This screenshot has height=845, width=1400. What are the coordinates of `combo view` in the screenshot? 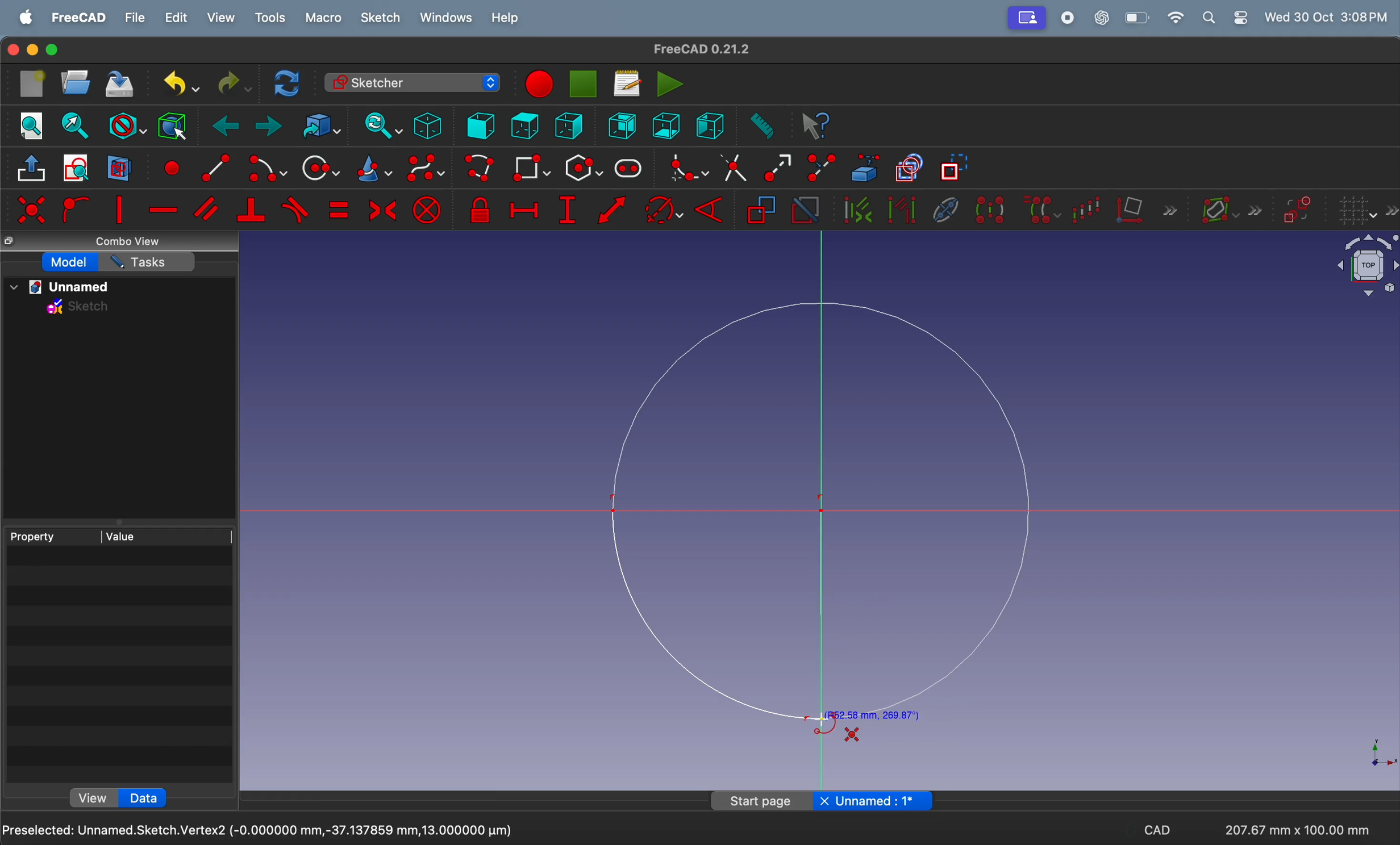 It's located at (132, 242).